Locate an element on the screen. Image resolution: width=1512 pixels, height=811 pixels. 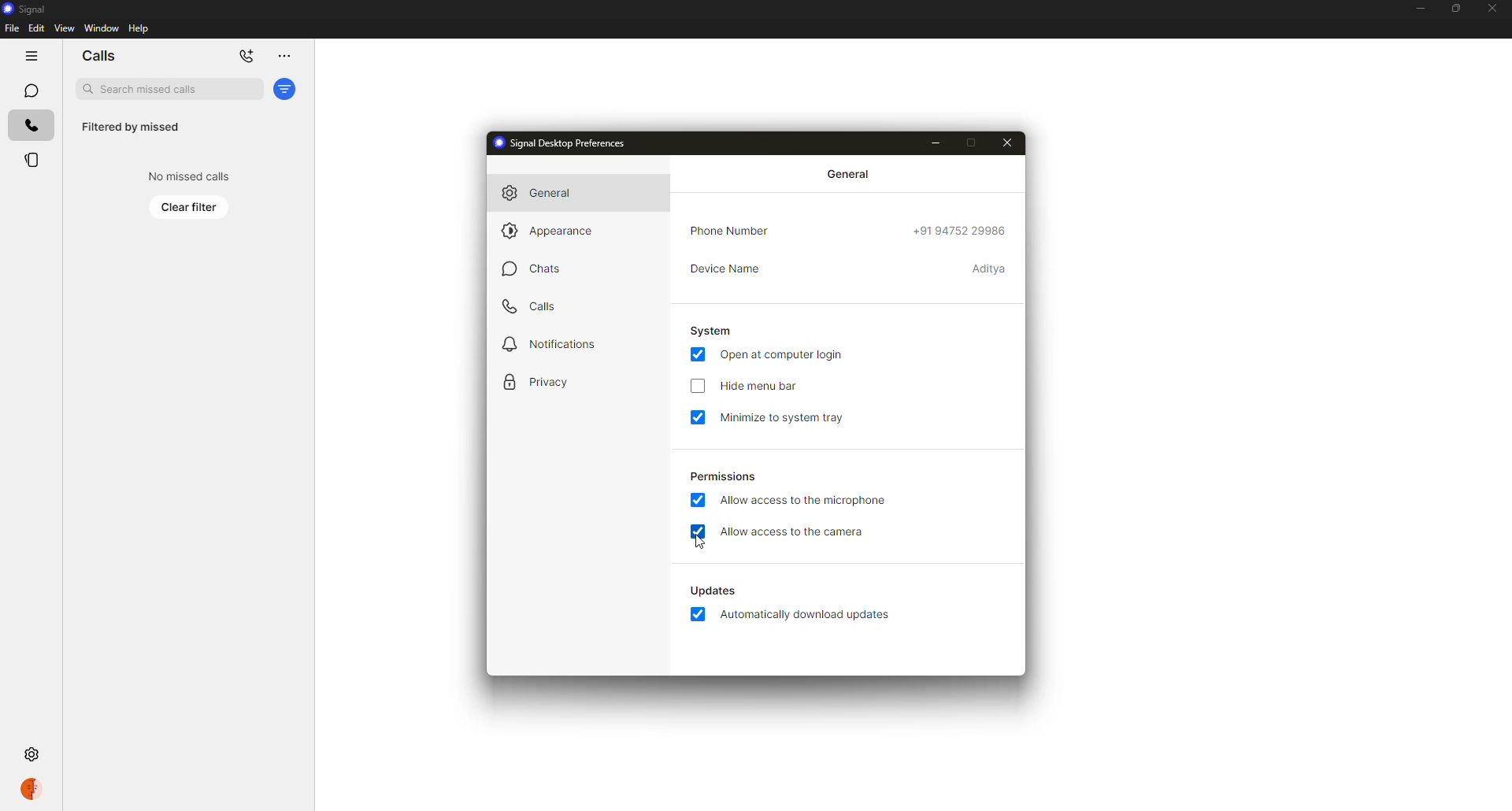
chats is located at coordinates (532, 268).